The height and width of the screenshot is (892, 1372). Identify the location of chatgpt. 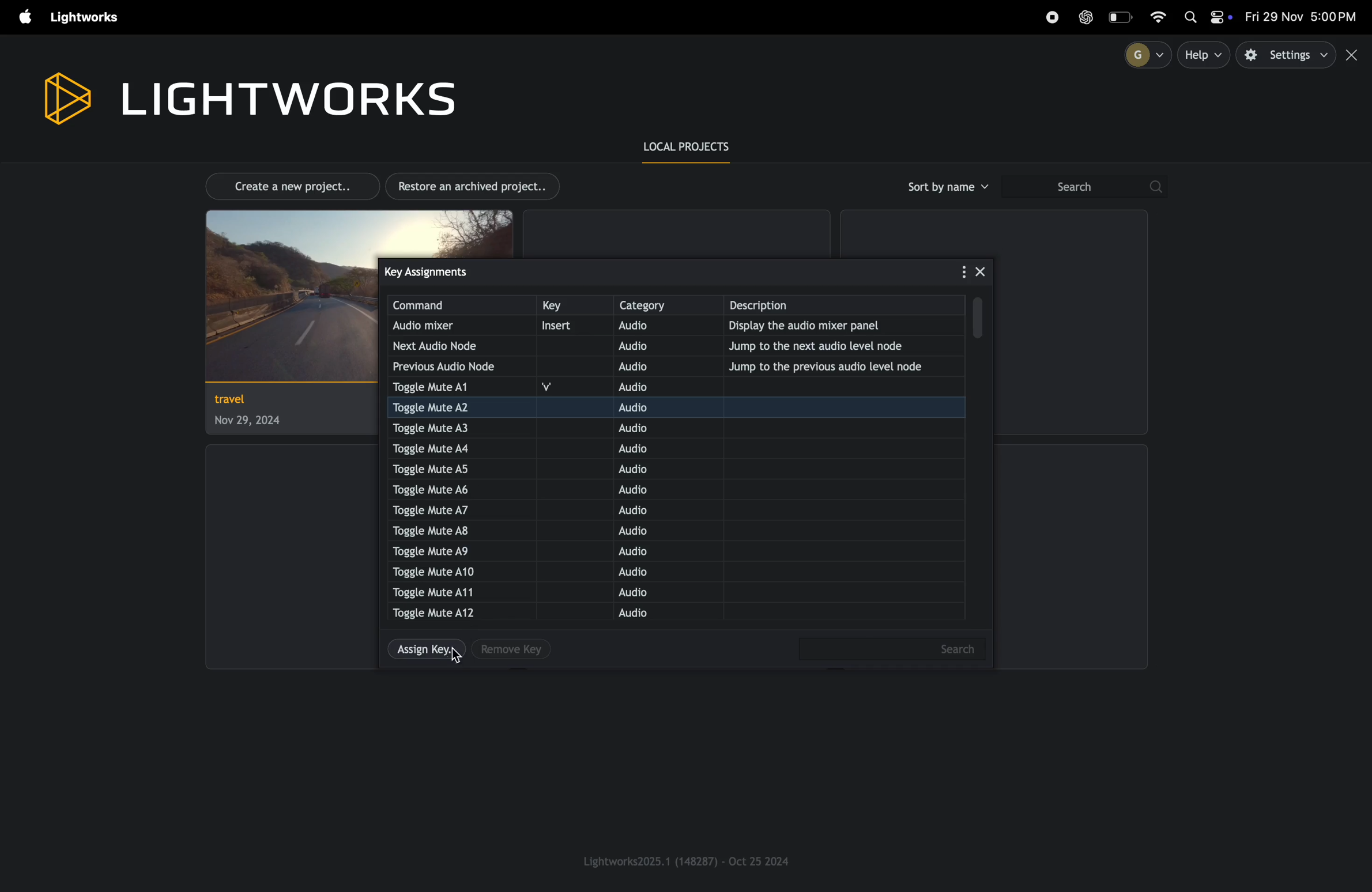
(1086, 17).